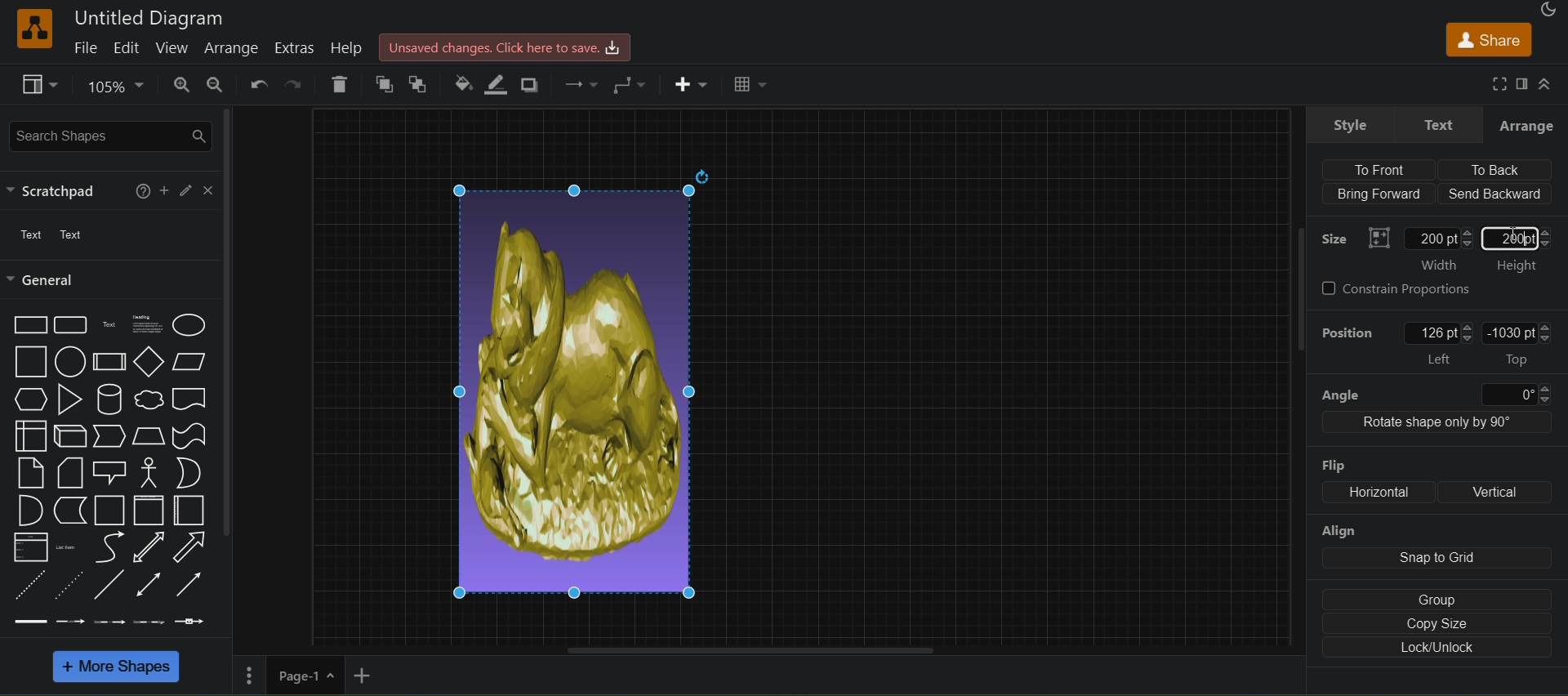  Describe the element at coordinates (350, 47) in the screenshot. I see `help` at that location.